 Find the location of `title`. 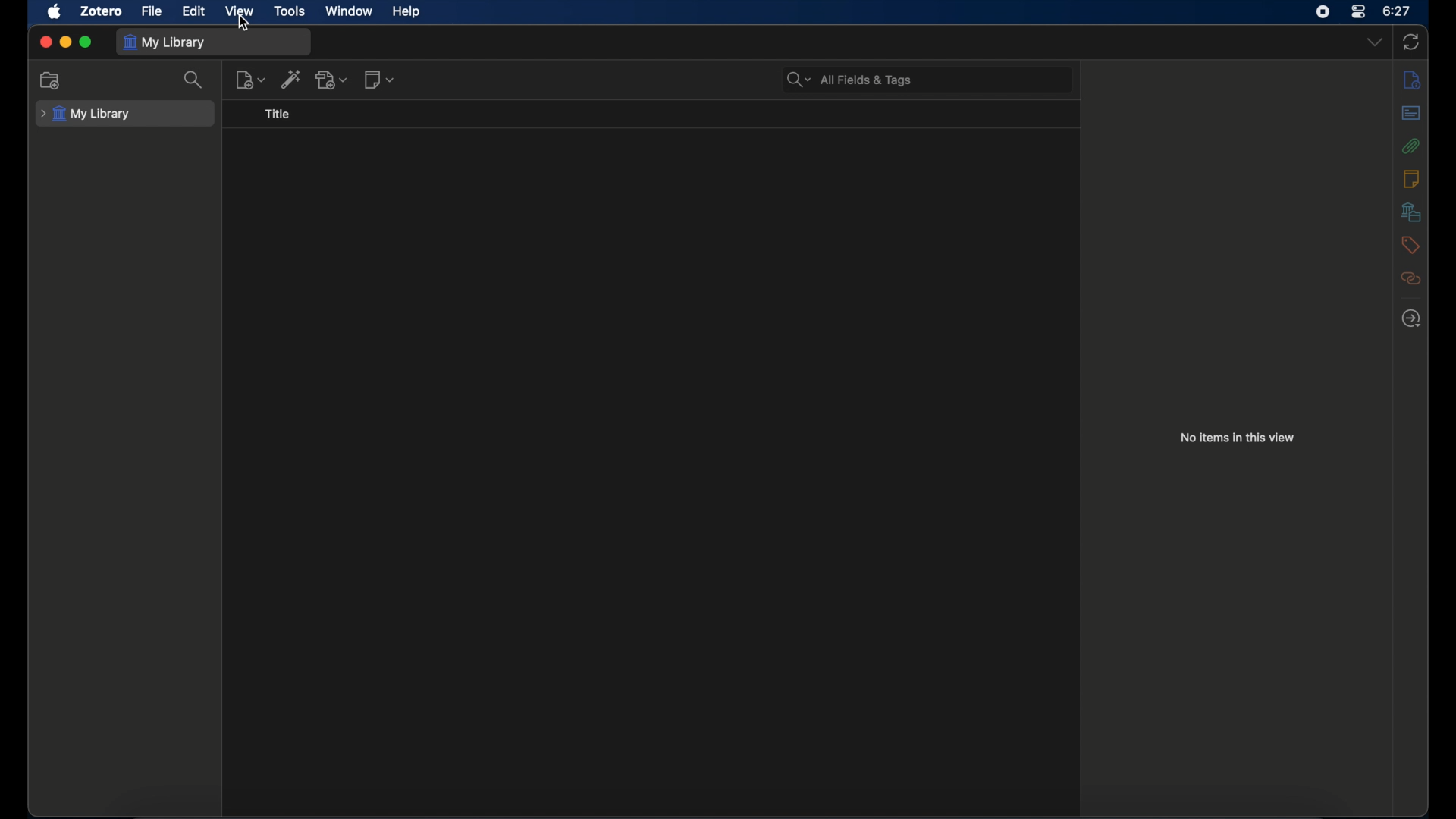

title is located at coordinates (278, 115).